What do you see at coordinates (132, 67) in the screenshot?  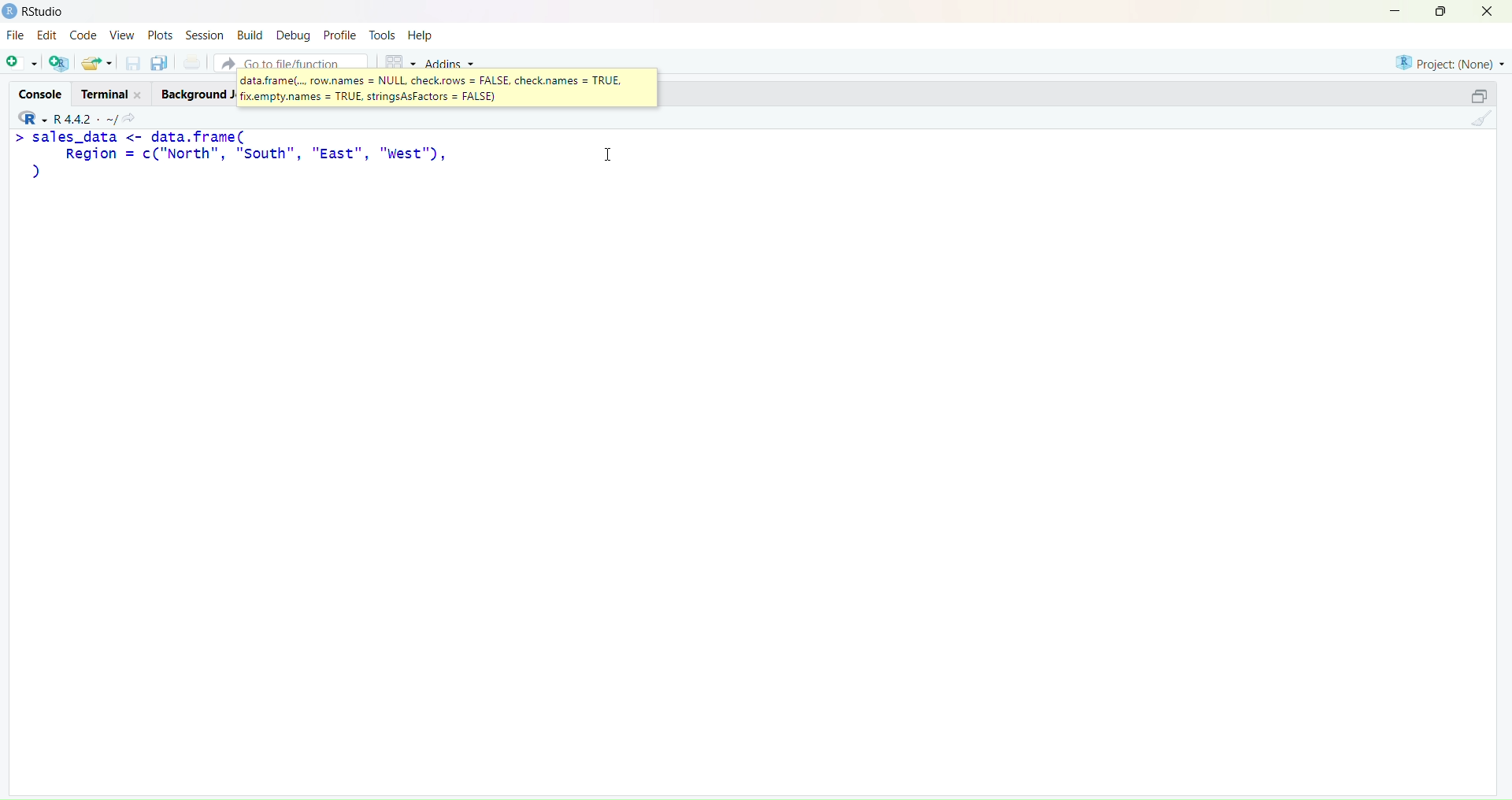 I see `save` at bounding box center [132, 67].